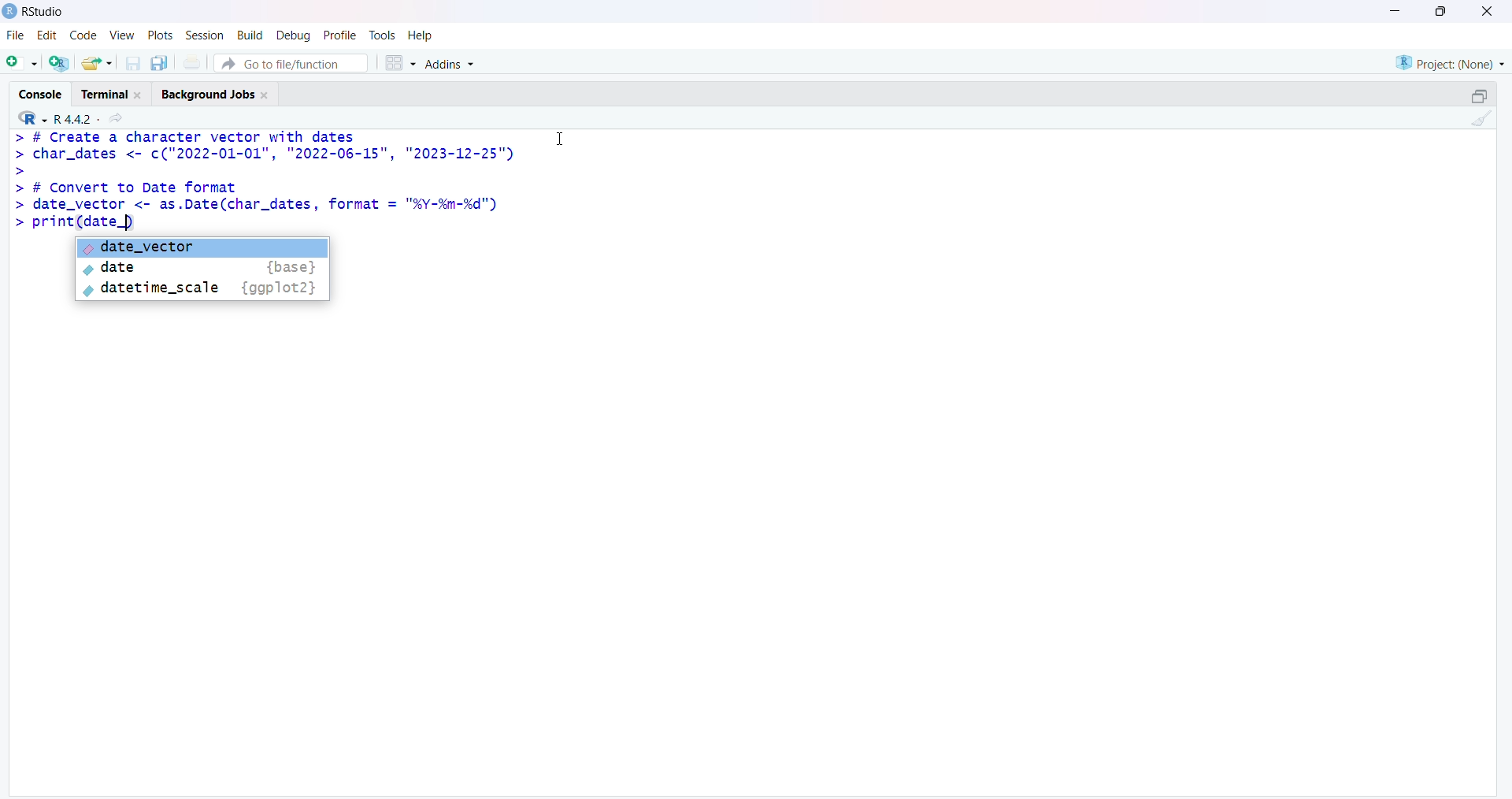  Describe the element at coordinates (102, 63) in the screenshot. I see `Open an existing file (Ctrl + O)` at that location.